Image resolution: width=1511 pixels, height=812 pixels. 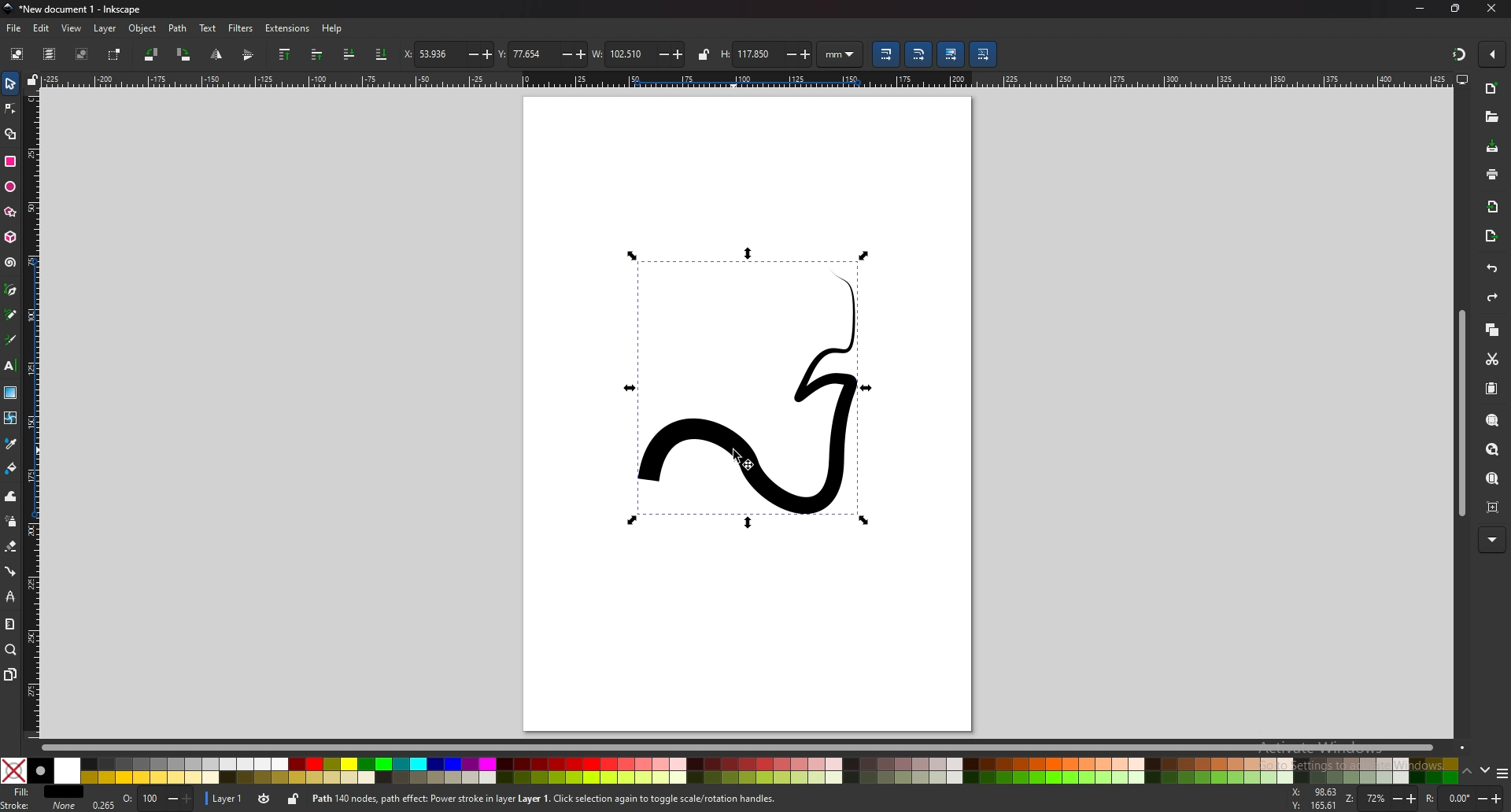 I want to click on redo, so click(x=1494, y=297).